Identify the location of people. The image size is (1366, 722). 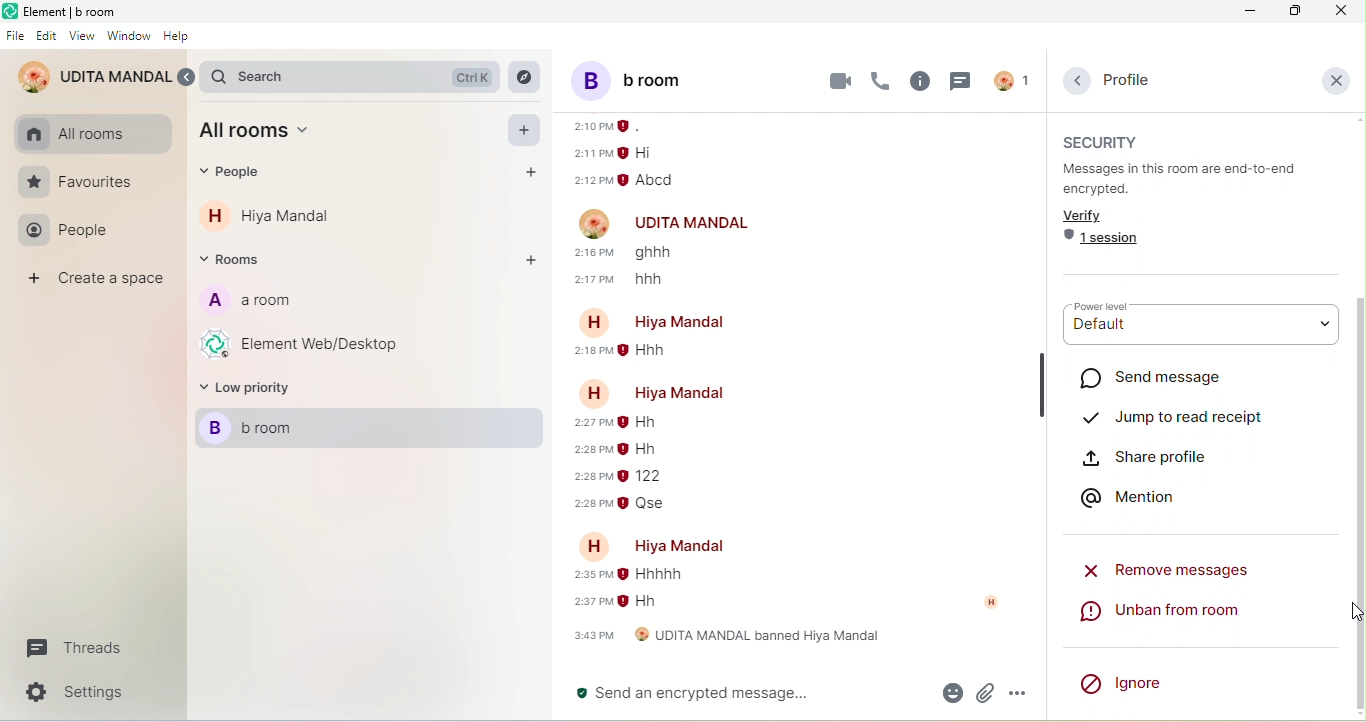
(70, 233).